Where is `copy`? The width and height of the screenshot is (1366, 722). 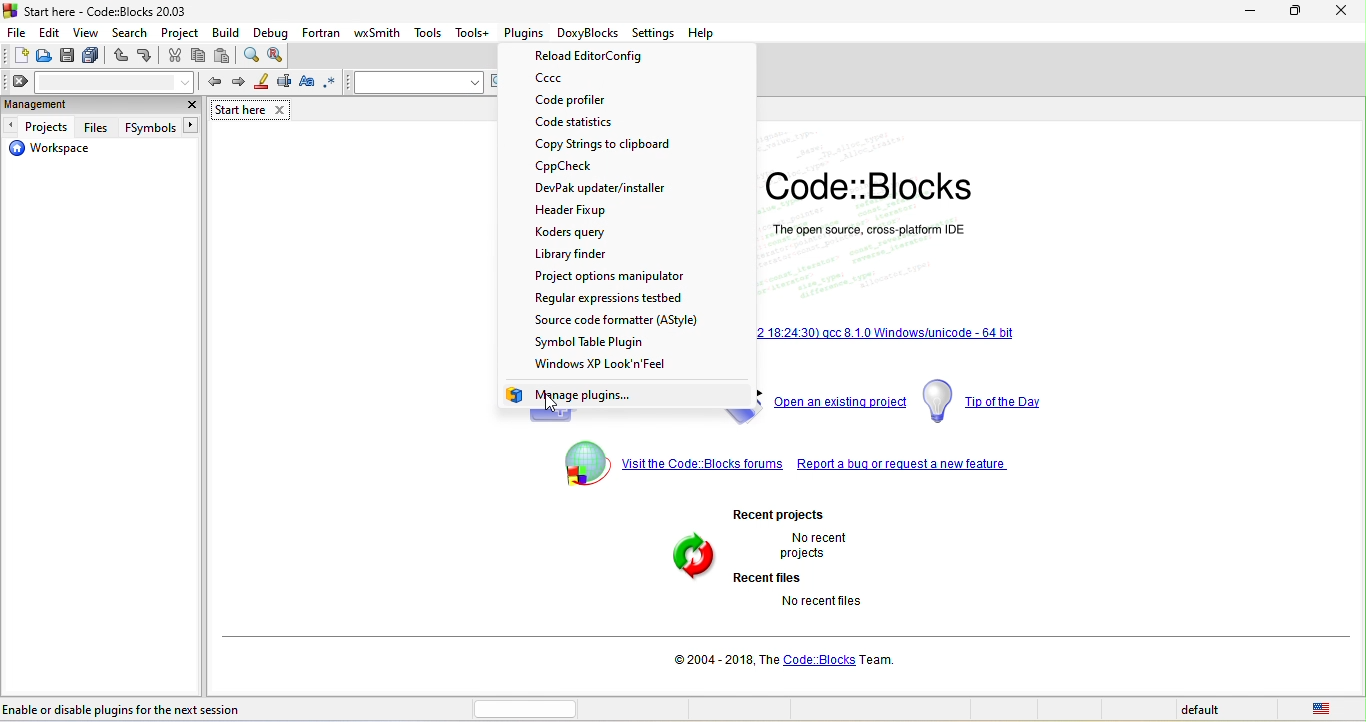 copy is located at coordinates (198, 55).